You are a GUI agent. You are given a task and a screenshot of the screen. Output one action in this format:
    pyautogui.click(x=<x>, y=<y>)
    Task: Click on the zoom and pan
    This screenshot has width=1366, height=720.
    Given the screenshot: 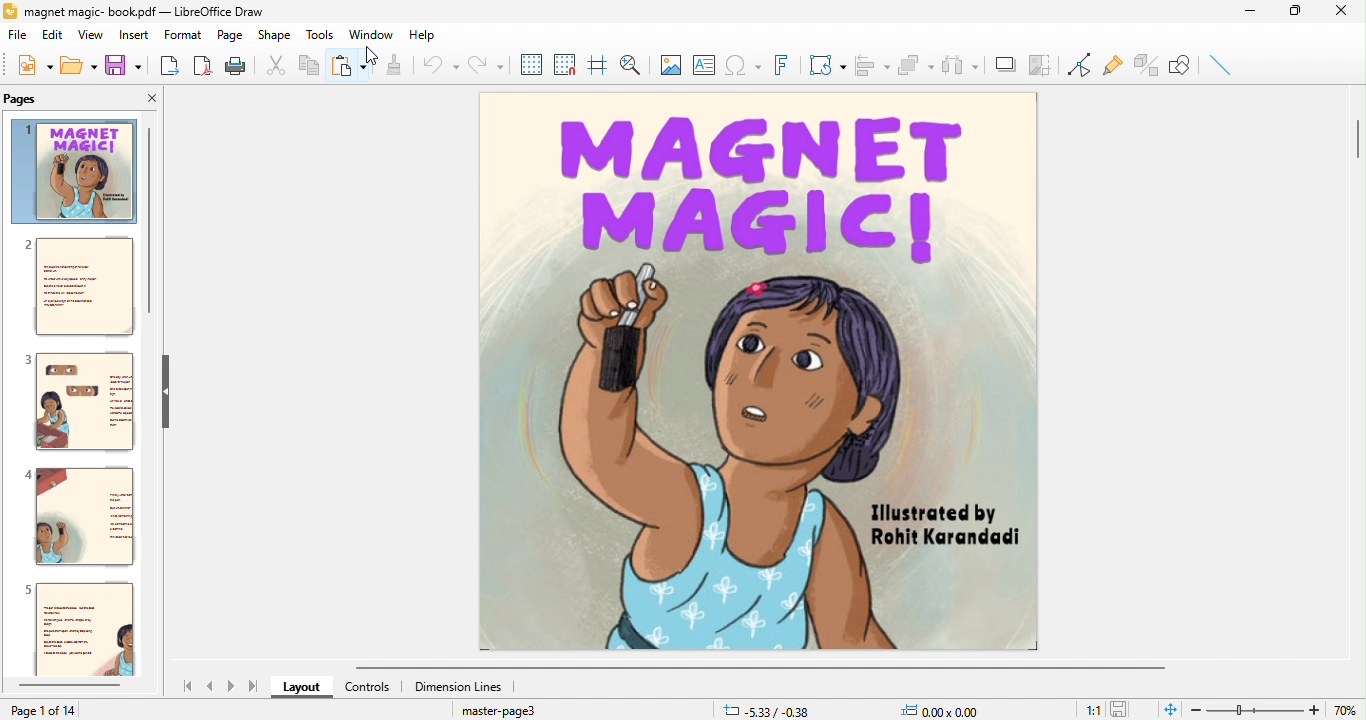 What is the action you would take?
    pyautogui.click(x=629, y=66)
    